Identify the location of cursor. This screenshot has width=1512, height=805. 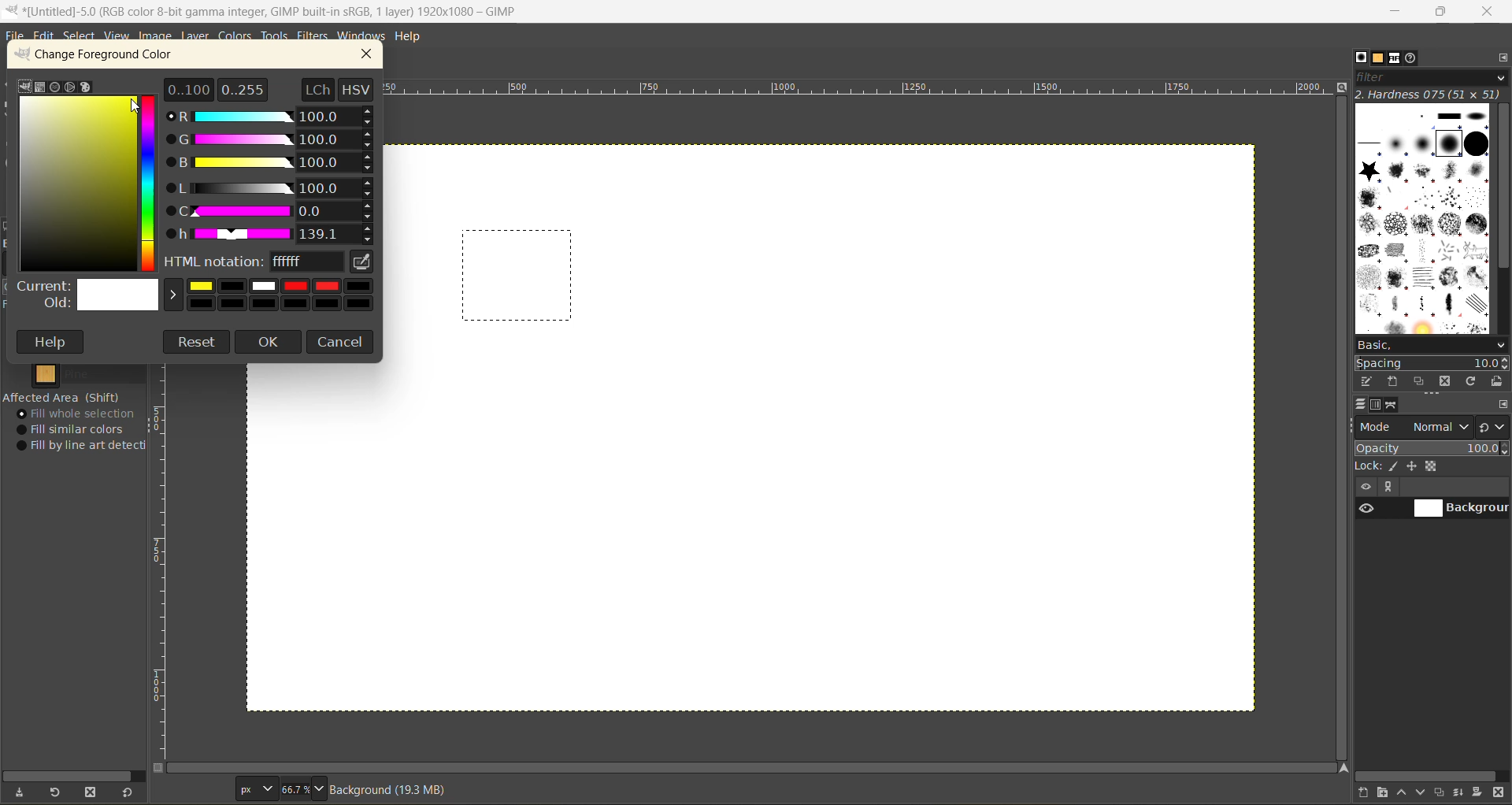
(132, 108).